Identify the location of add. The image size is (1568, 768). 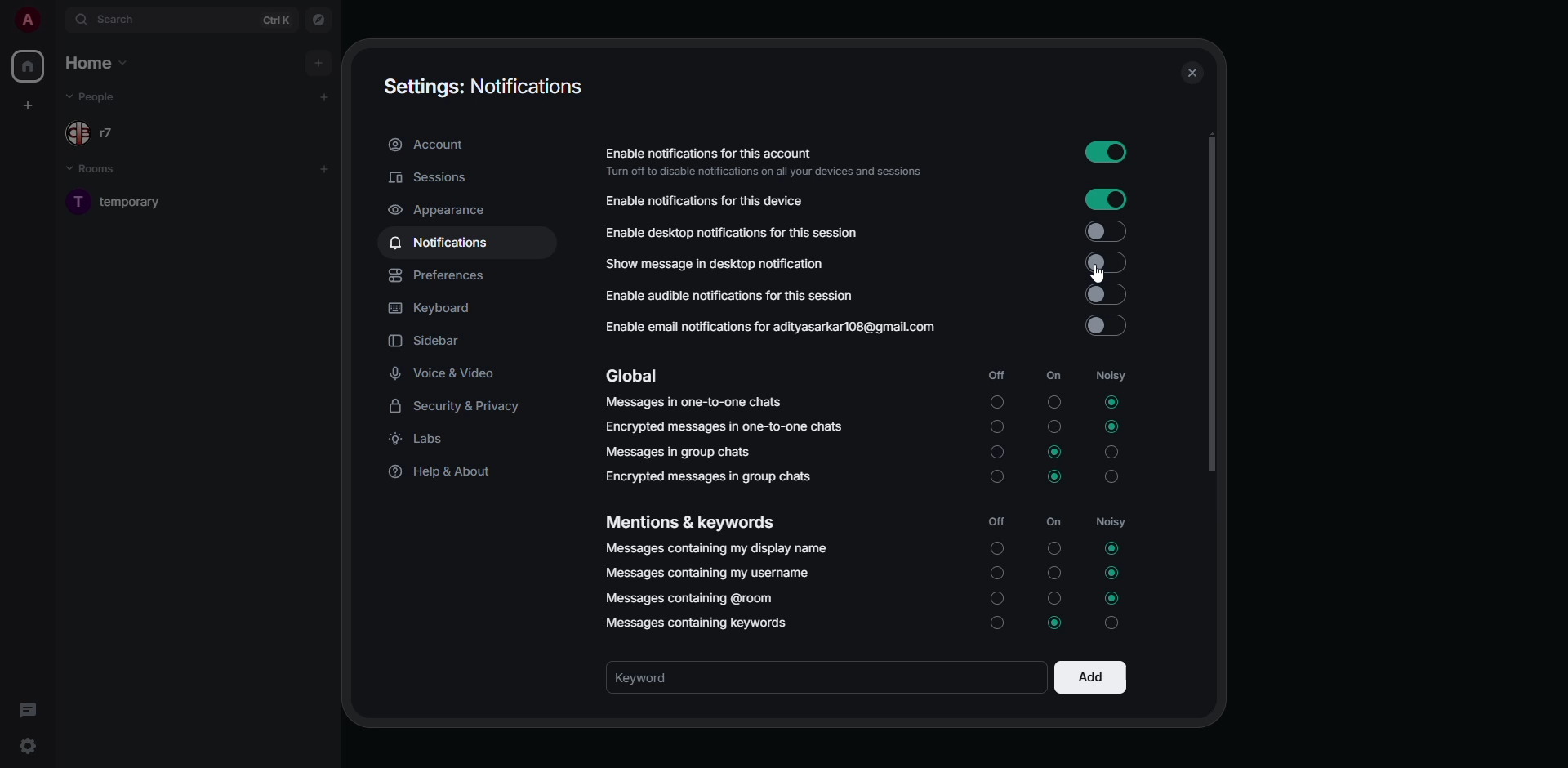
(327, 167).